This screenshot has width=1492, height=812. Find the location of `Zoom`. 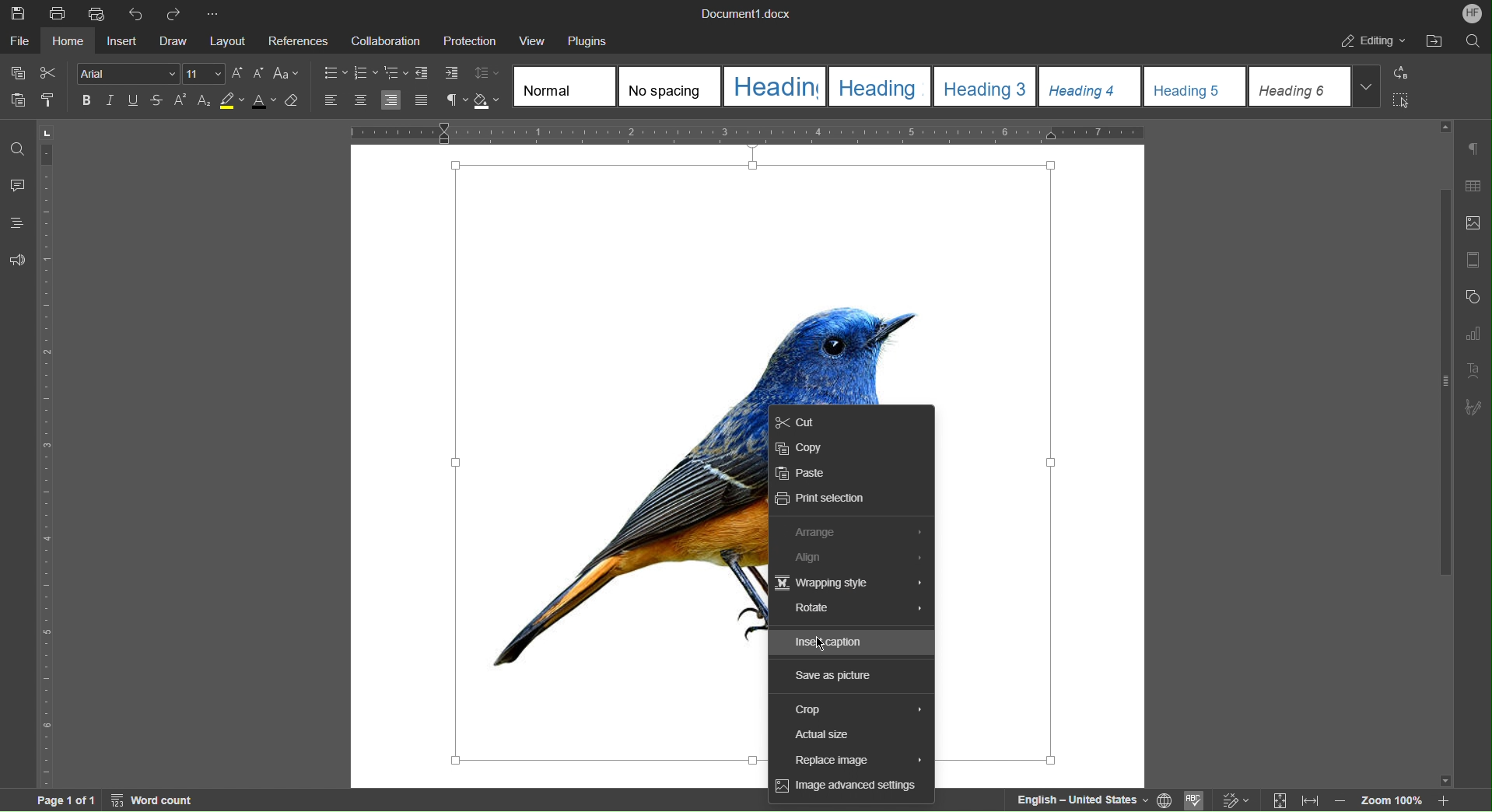

Zoom is located at coordinates (1390, 800).